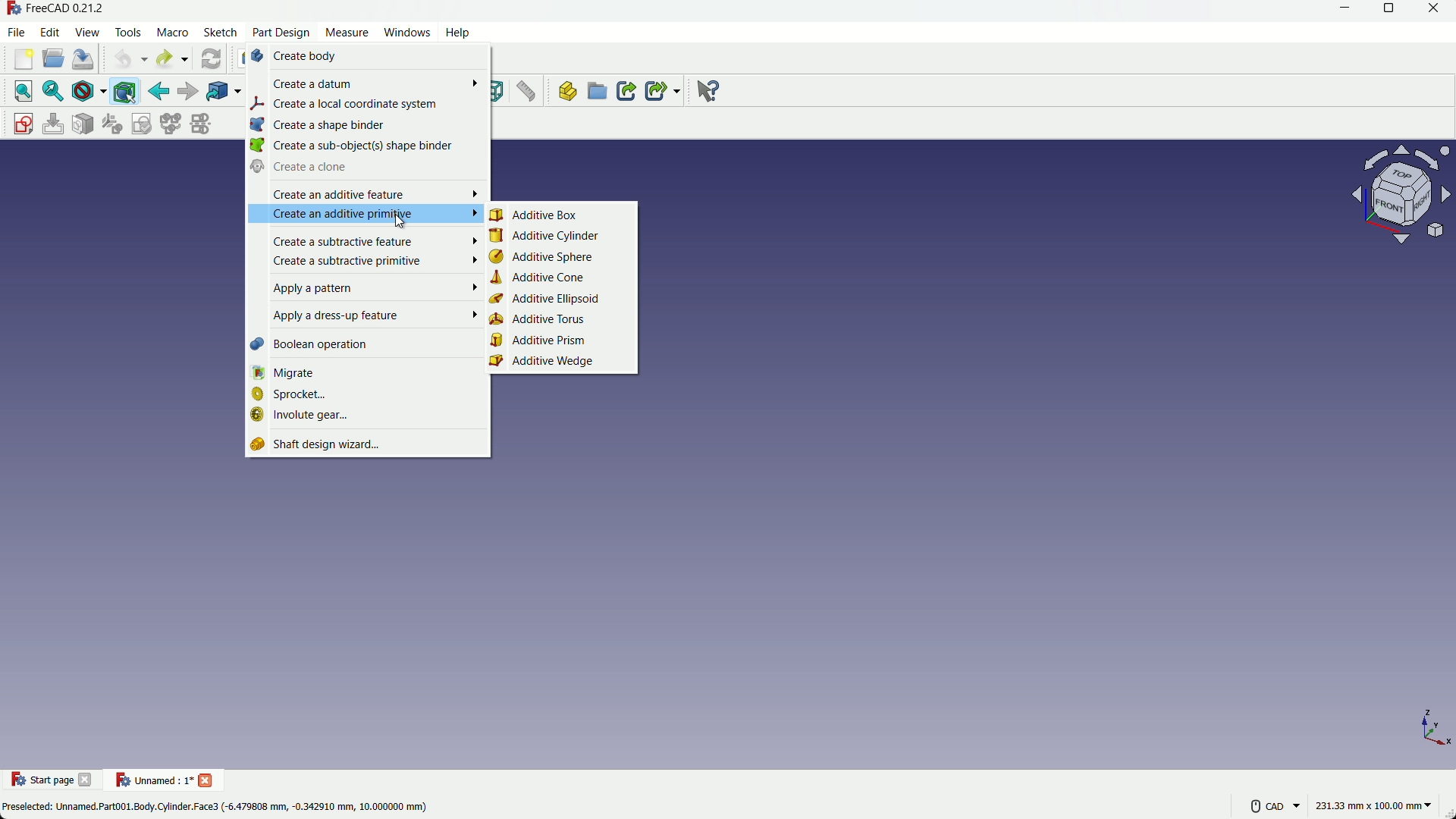 Image resolution: width=1456 pixels, height=819 pixels. Describe the element at coordinates (560, 303) in the screenshot. I see `additive ellipsoid` at that location.